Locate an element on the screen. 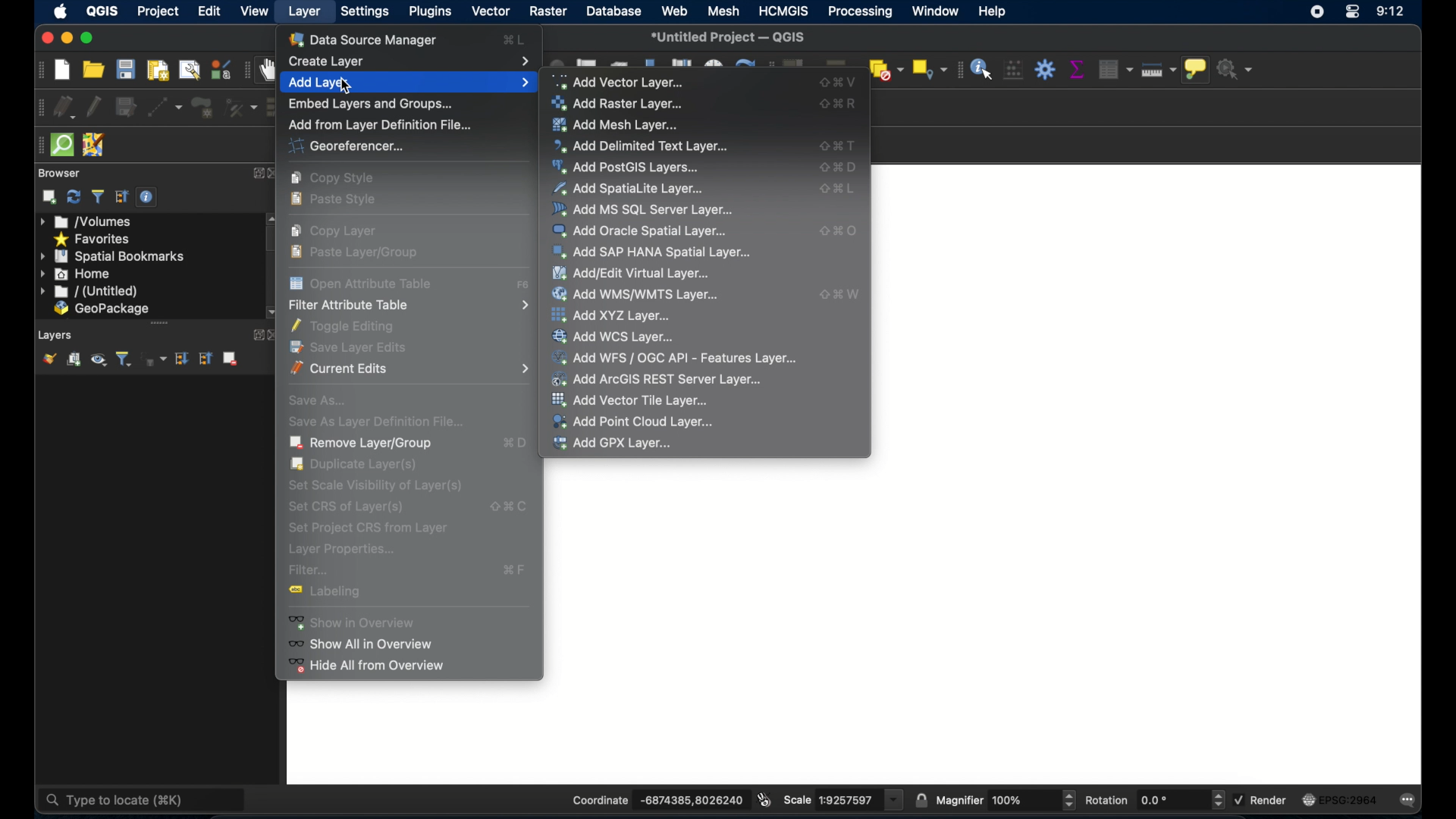 Image resolution: width=1456 pixels, height=819 pixels. *Untitled Project - QGIS is located at coordinates (730, 36).